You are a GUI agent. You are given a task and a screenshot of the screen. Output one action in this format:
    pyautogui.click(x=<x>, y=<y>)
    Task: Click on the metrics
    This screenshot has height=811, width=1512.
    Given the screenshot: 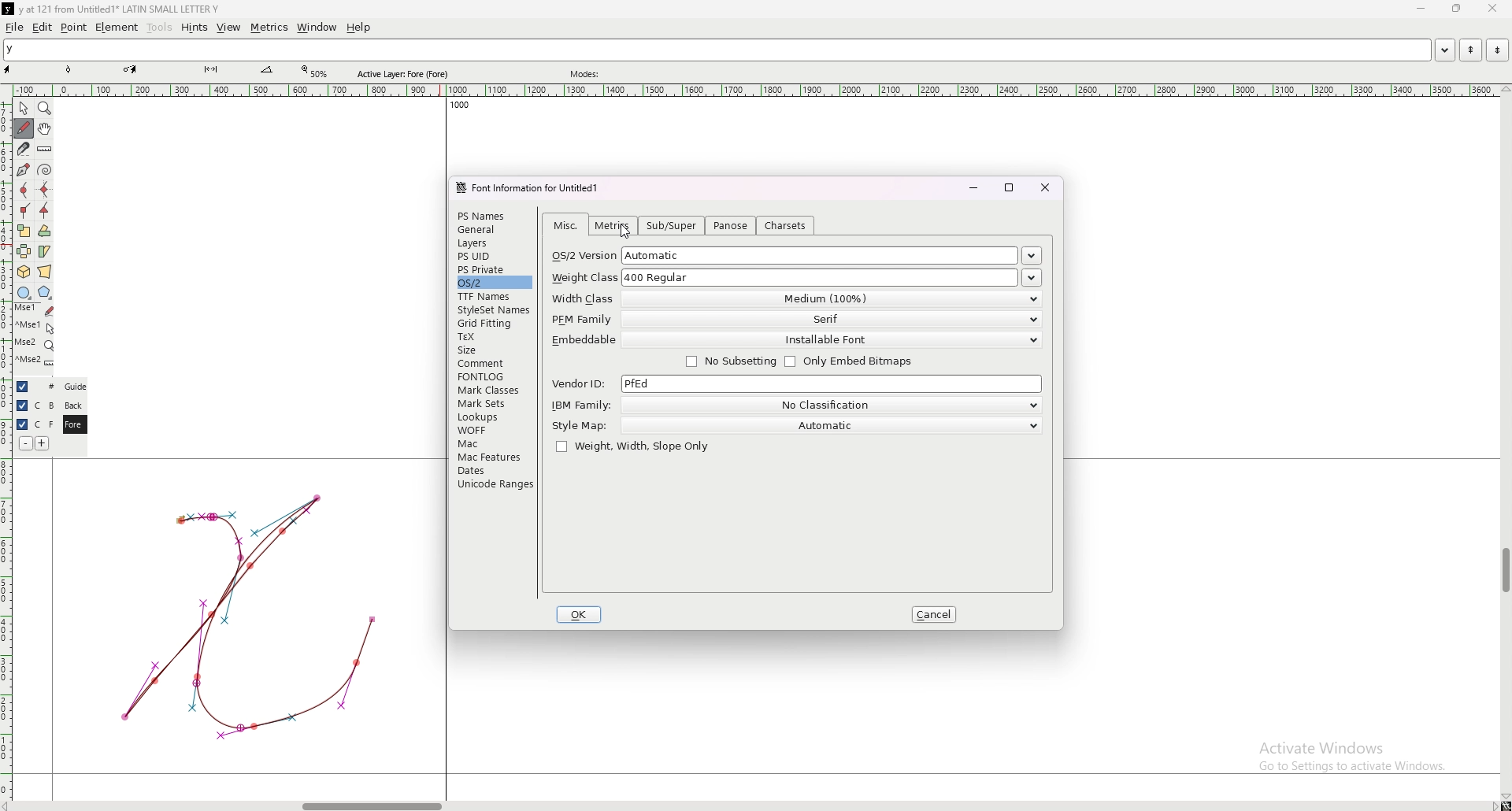 What is the action you would take?
    pyautogui.click(x=269, y=28)
    